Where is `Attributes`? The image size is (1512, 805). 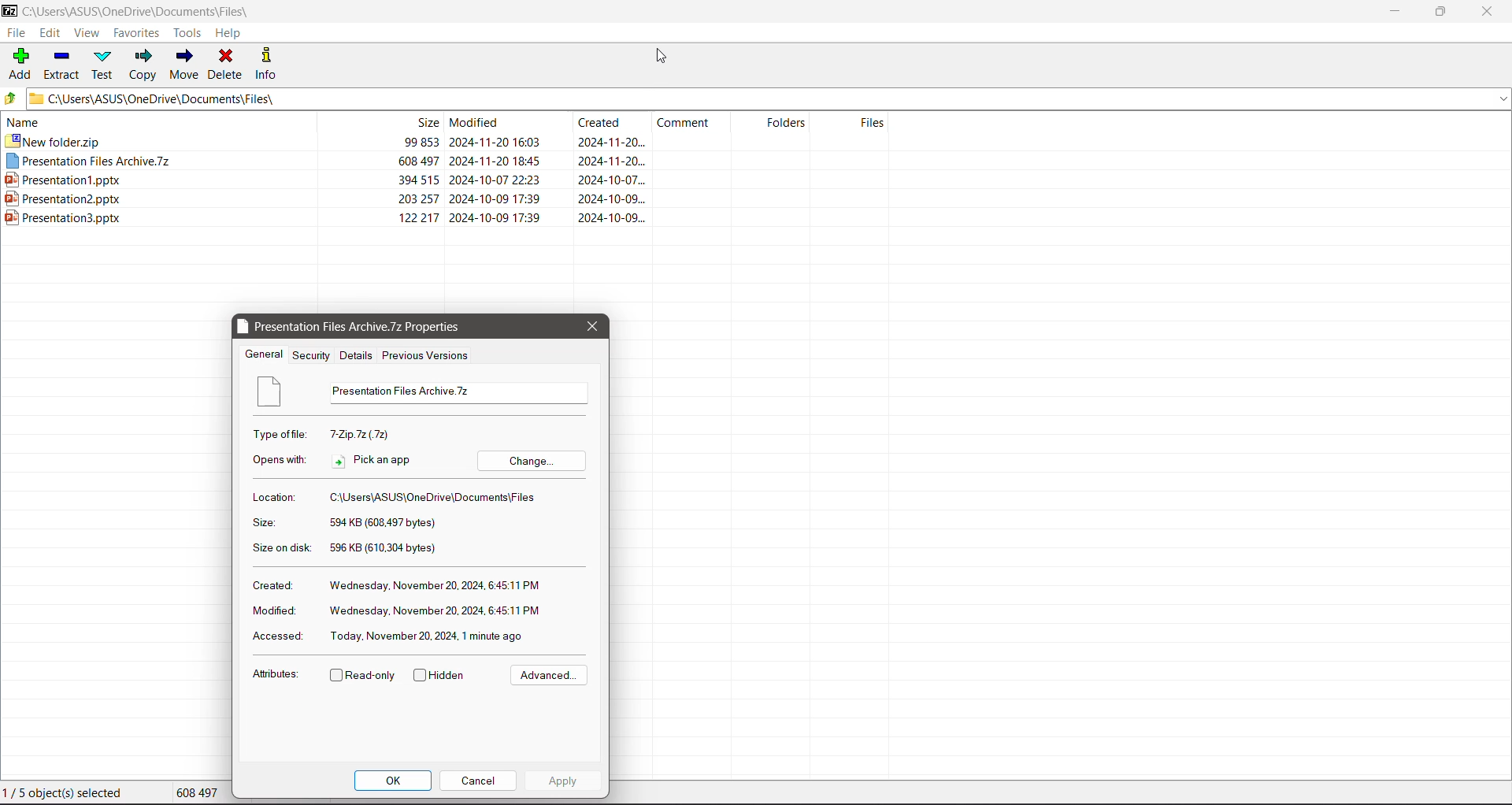 Attributes is located at coordinates (276, 674).